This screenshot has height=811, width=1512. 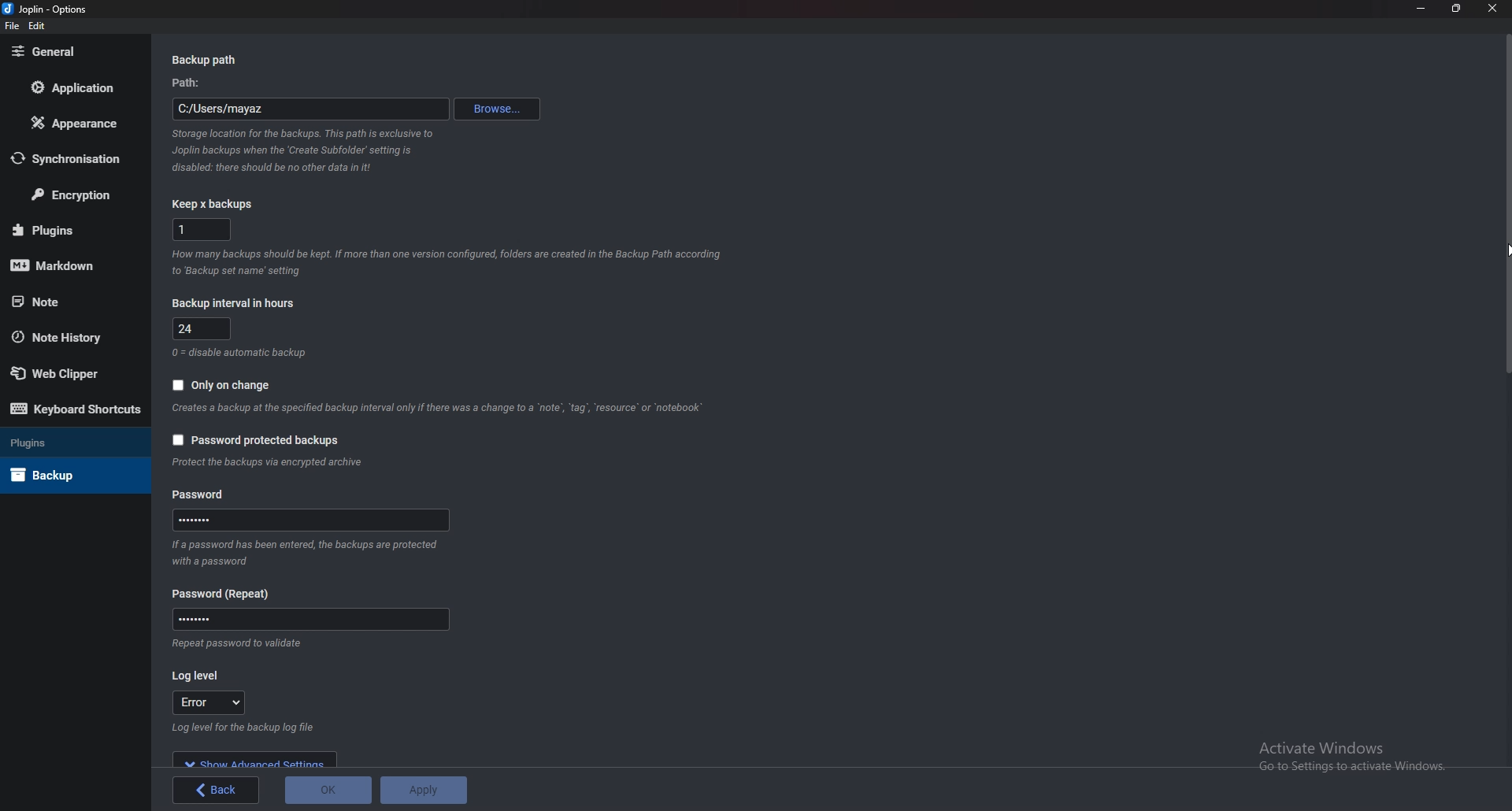 What do you see at coordinates (231, 383) in the screenshot?
I see `Only on change` at bounding box center [231, 383].